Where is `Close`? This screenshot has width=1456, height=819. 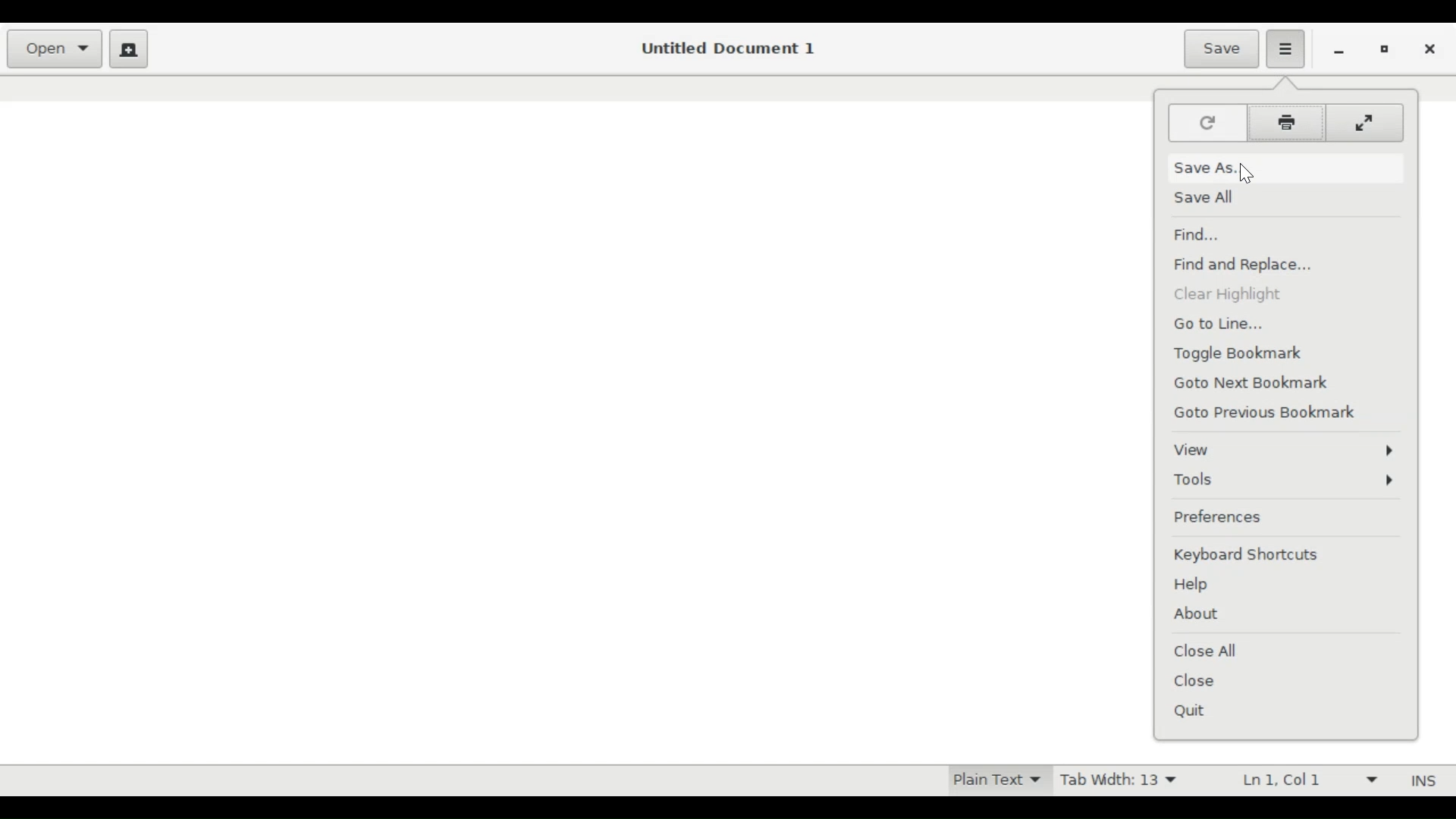
Close is located at coordinates (1430, 50).